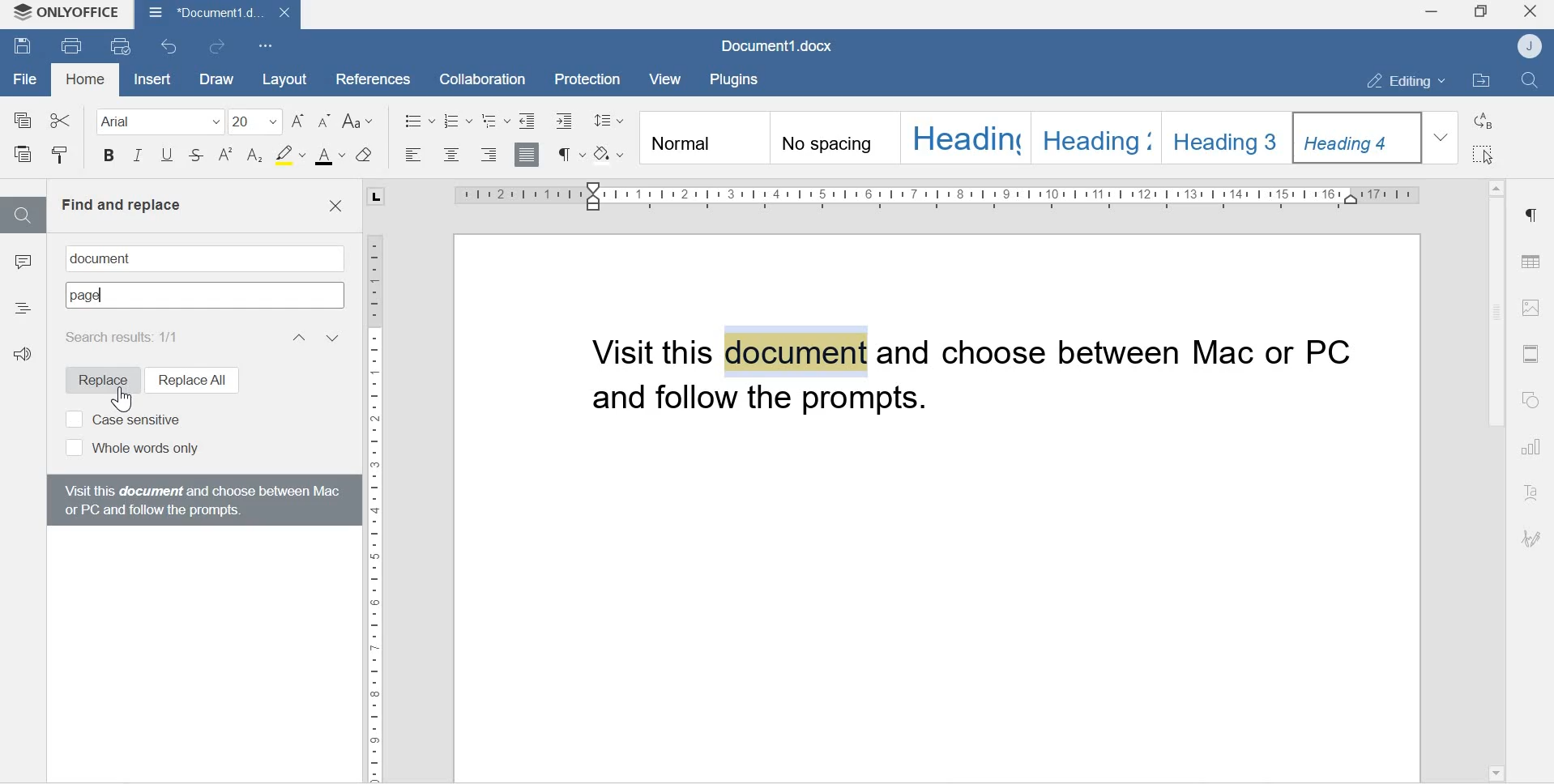 This screenshot has height=784, width=1554. Describe the element at coordinates (495, 120) in the screenshot. I see `Multilevel List` at that location.